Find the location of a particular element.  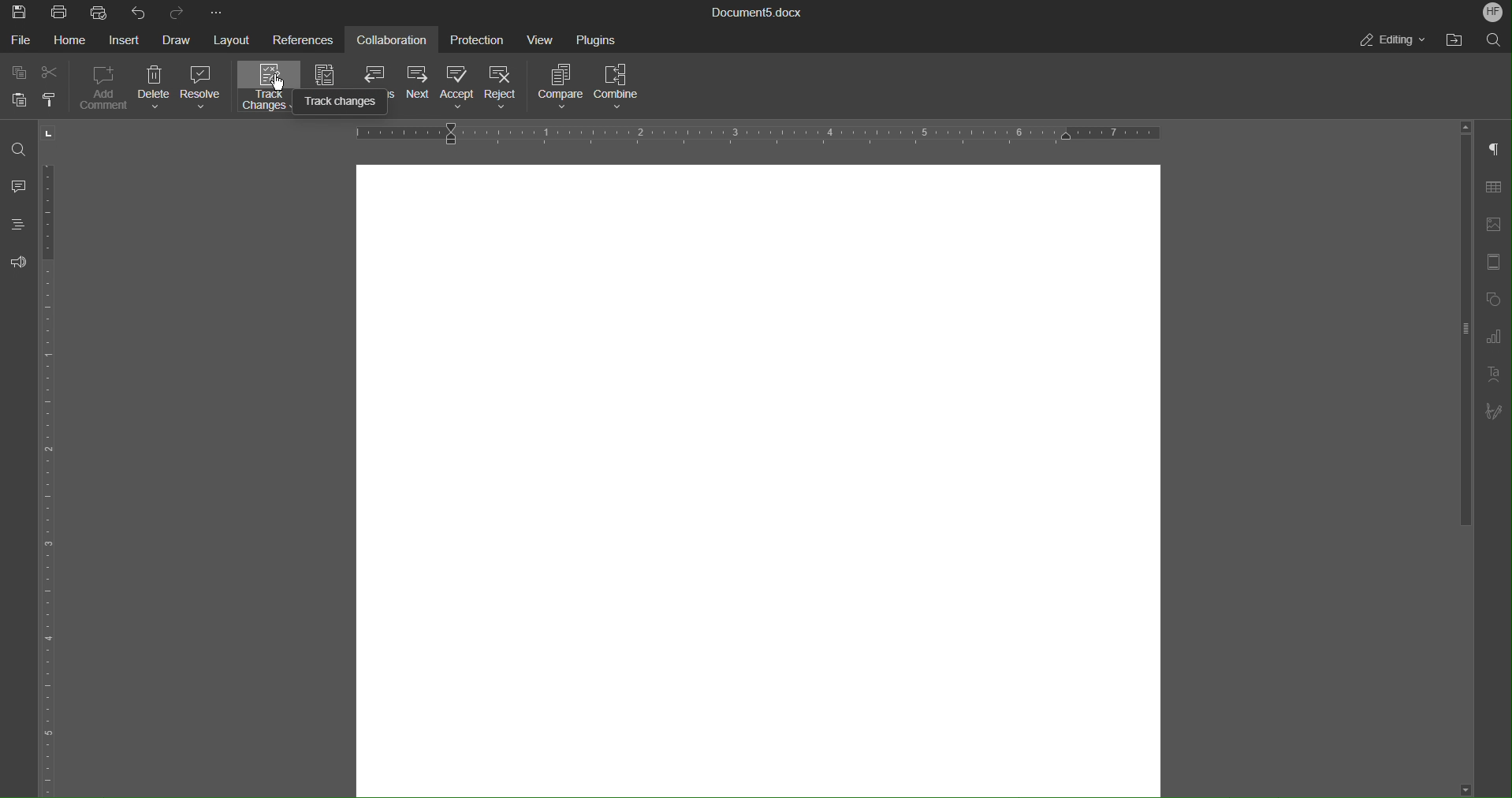

Accept is located at coordinates (464, 88).